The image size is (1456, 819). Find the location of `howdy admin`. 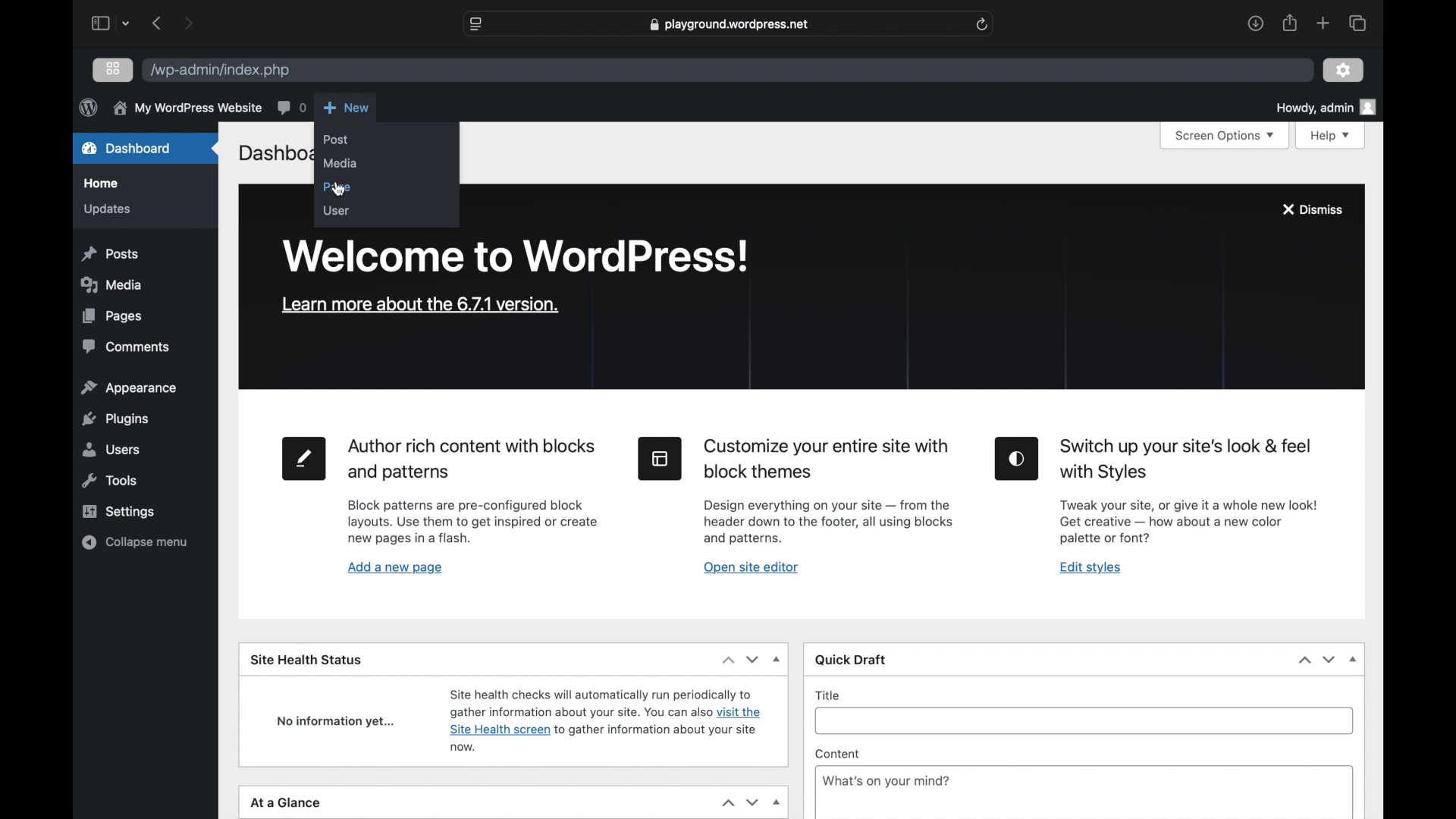

howdy admin is located at coordinates (1327, 106).